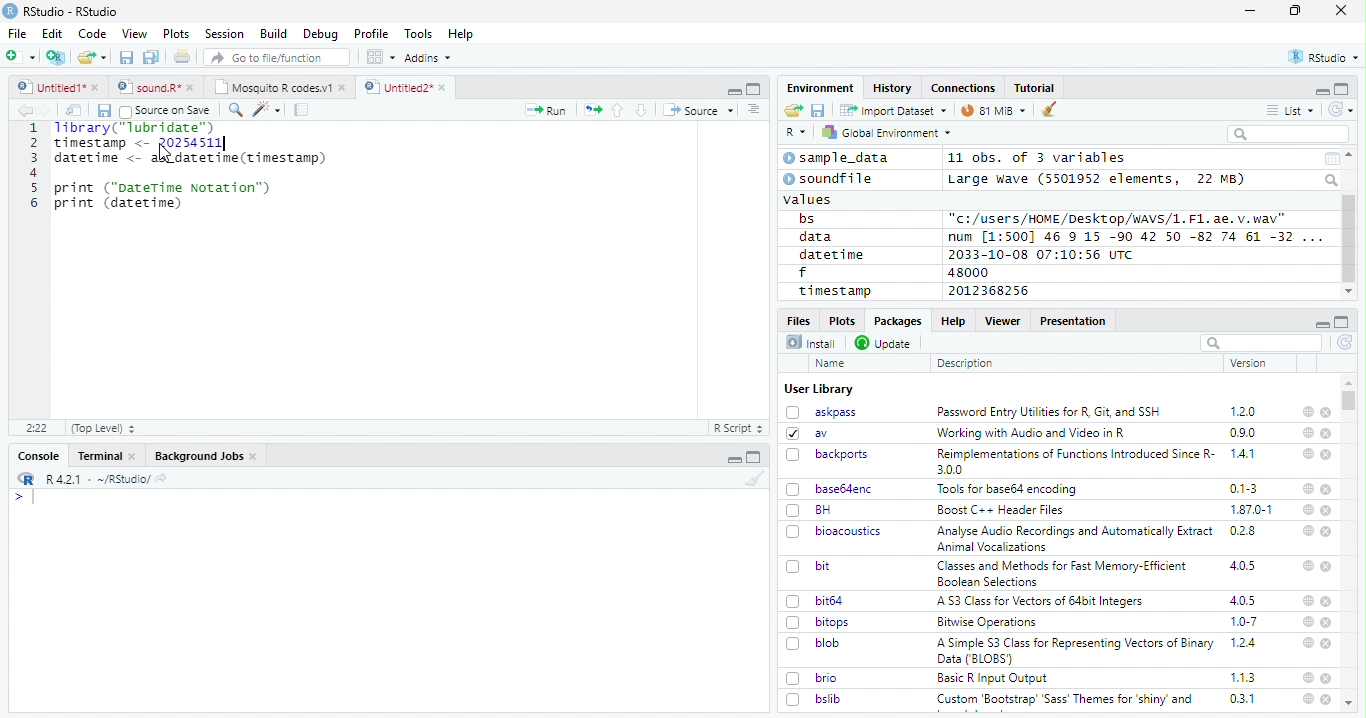  What do you see at coordinates (1341, 9) in the screenshot?
I see `close` at bounding box center [1341, 9].